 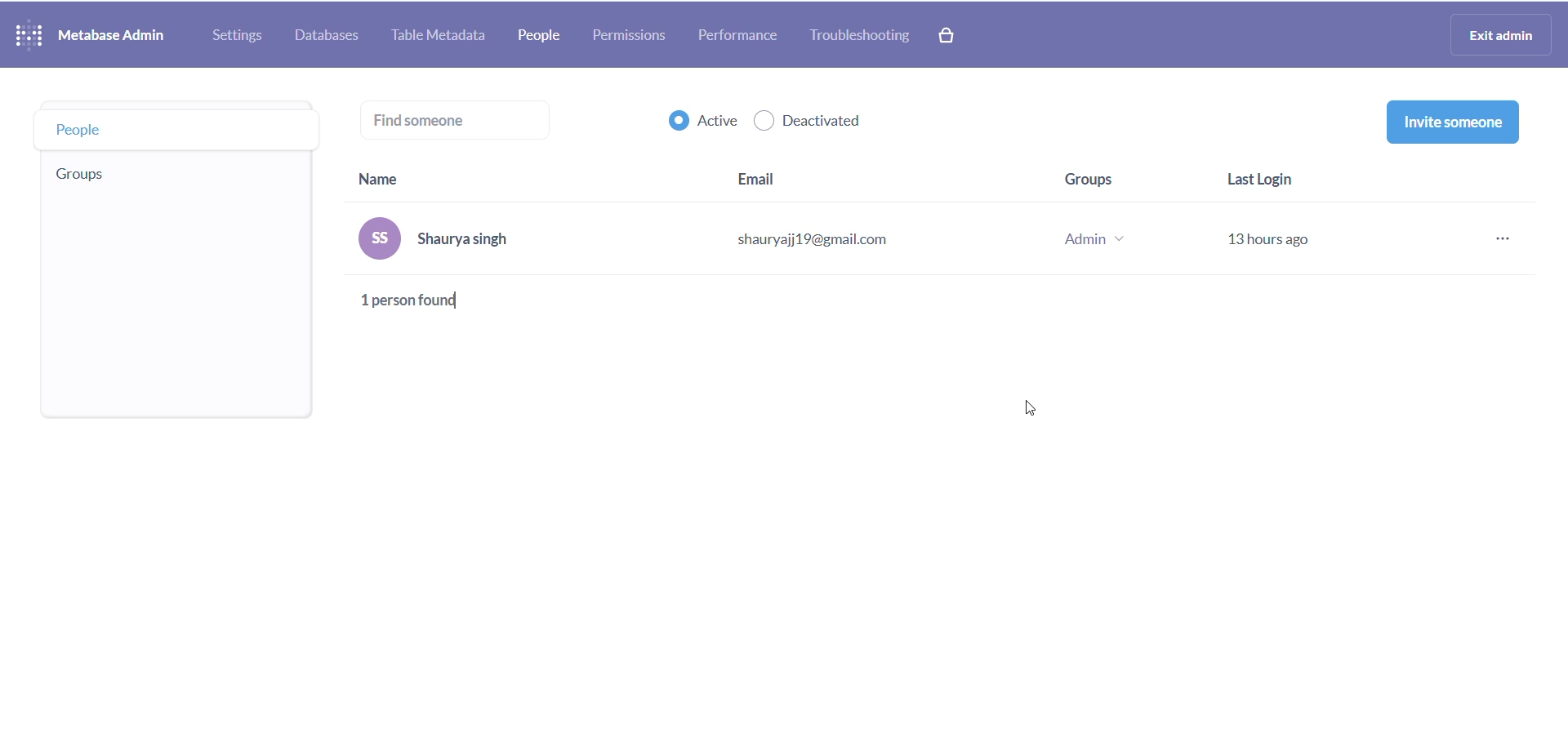 What do you see at coordinates (443, 181) in the screenshot?
I see `name heading` at bounding box center [443, 181].